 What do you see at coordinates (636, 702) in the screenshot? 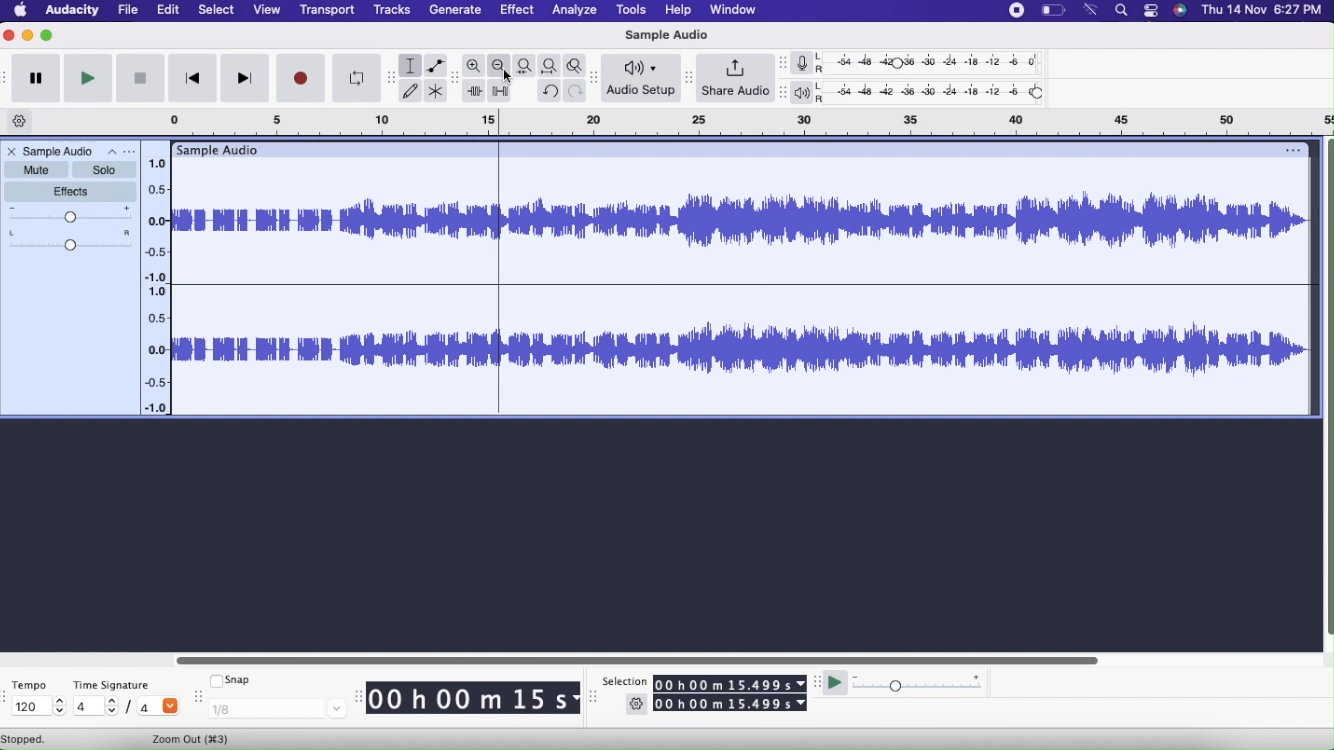
I see `Settings` at bounding box center [636, 702].